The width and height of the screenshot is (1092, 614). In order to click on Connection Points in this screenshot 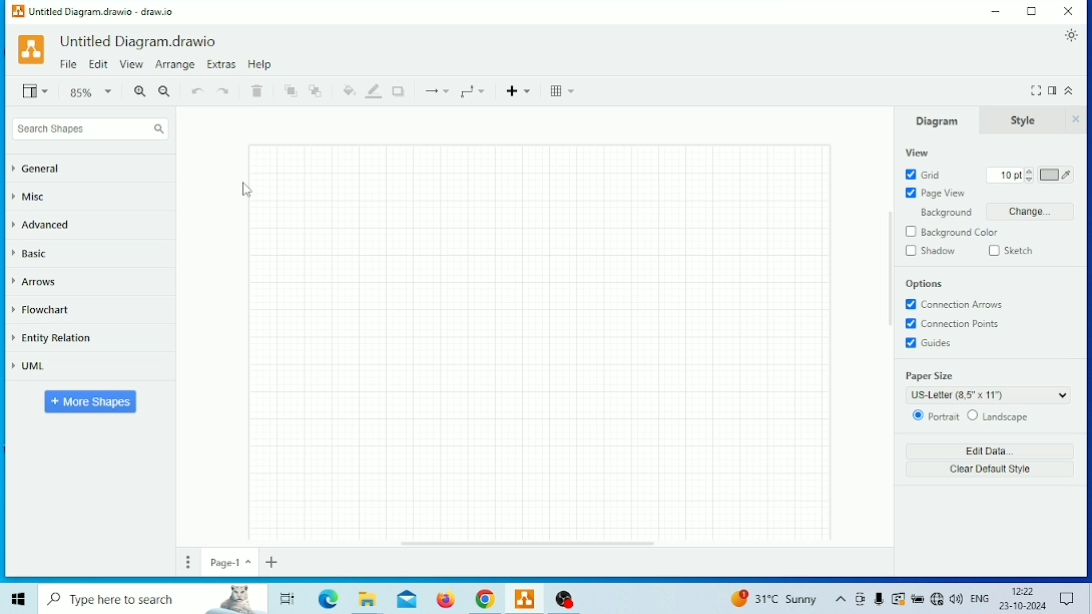, I will do `click(951, 324)`.